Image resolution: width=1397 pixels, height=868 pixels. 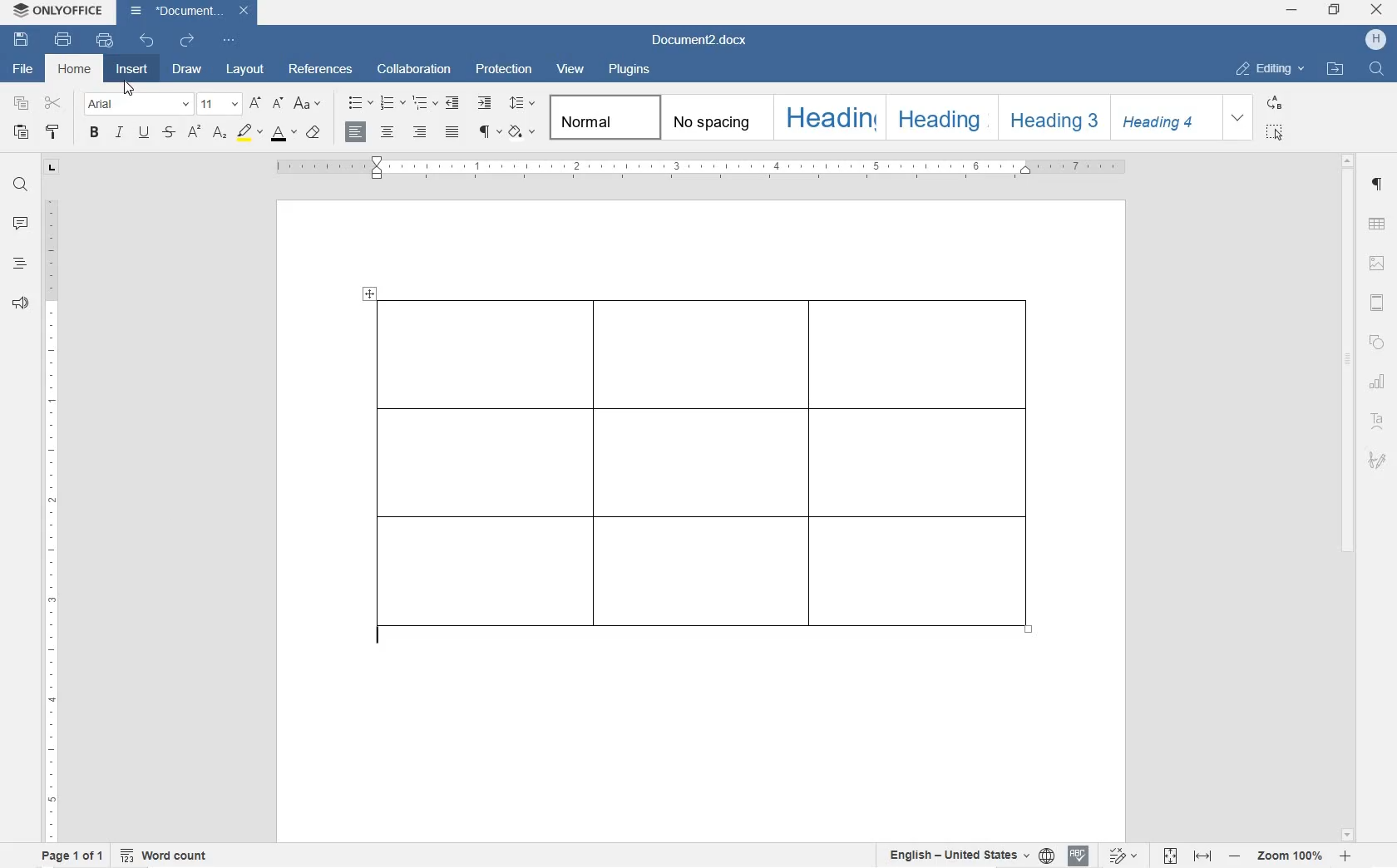 I want to click on track changes, so click(x=1127, y=856).